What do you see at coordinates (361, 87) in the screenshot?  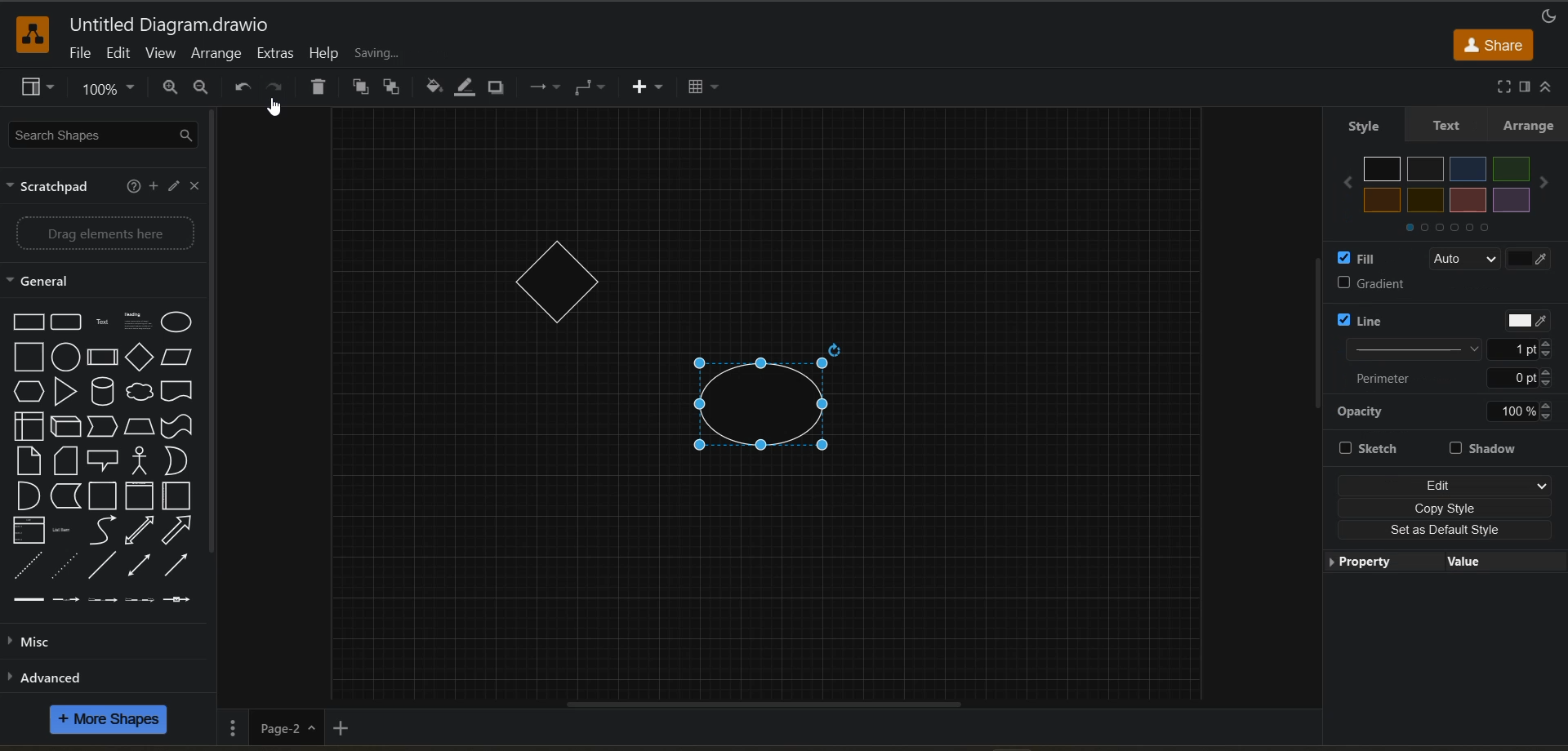 I see `to front` at bounding box center [361, 87].